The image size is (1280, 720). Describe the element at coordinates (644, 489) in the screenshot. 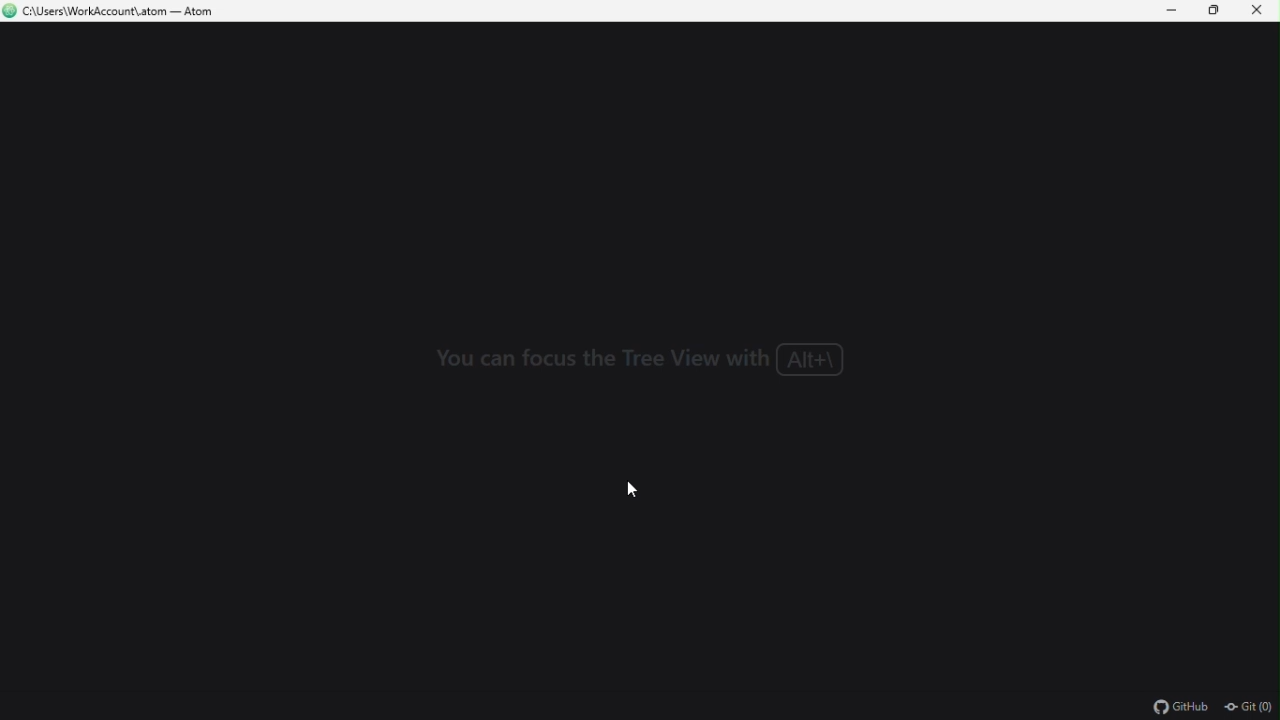

I see `Mouse` at that location.